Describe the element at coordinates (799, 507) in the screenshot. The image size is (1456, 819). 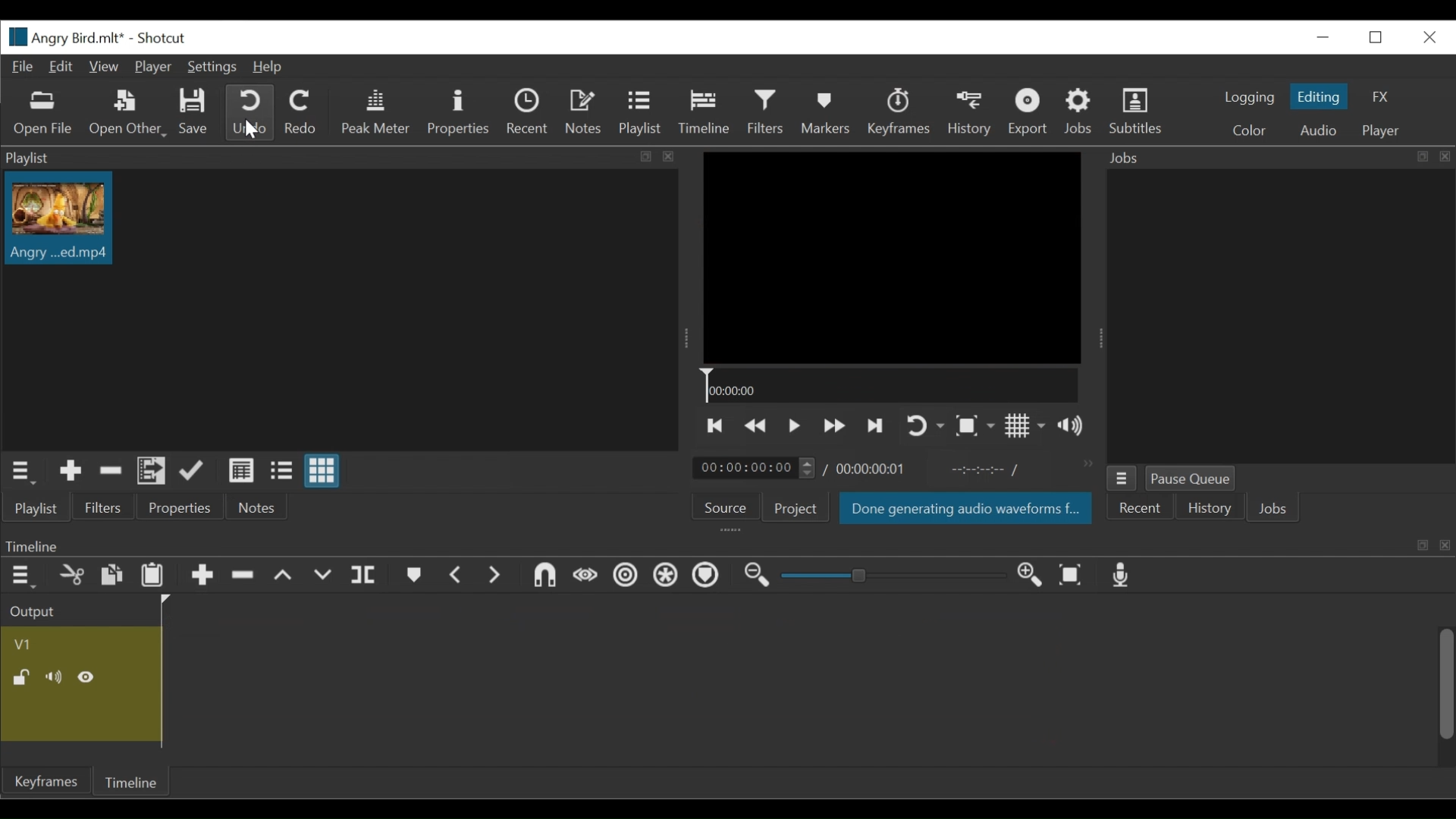
I see `Project` at that location.